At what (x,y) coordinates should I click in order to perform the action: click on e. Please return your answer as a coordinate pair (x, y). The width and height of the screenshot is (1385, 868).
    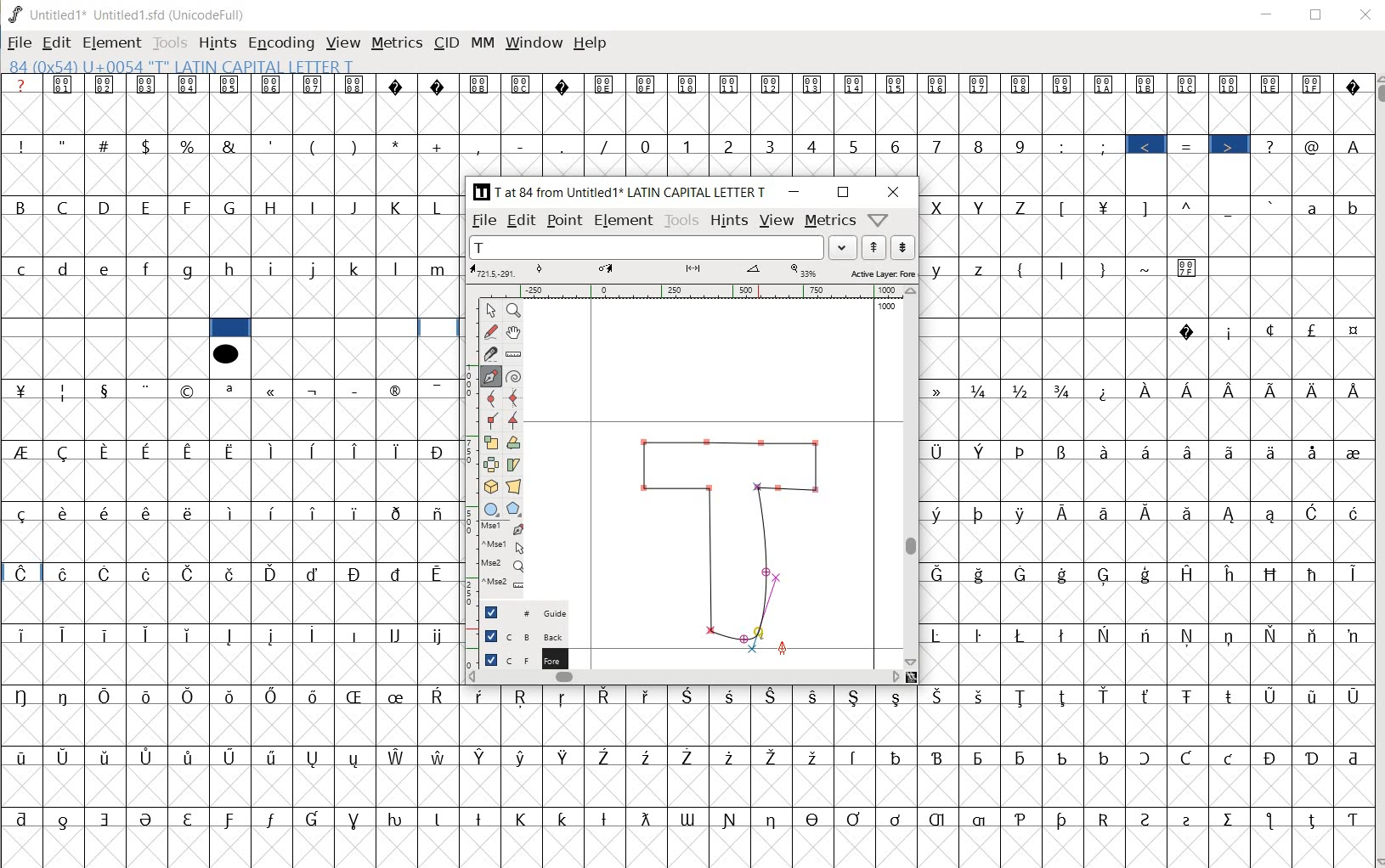
    Looking at the image, I should click on (106, 269).